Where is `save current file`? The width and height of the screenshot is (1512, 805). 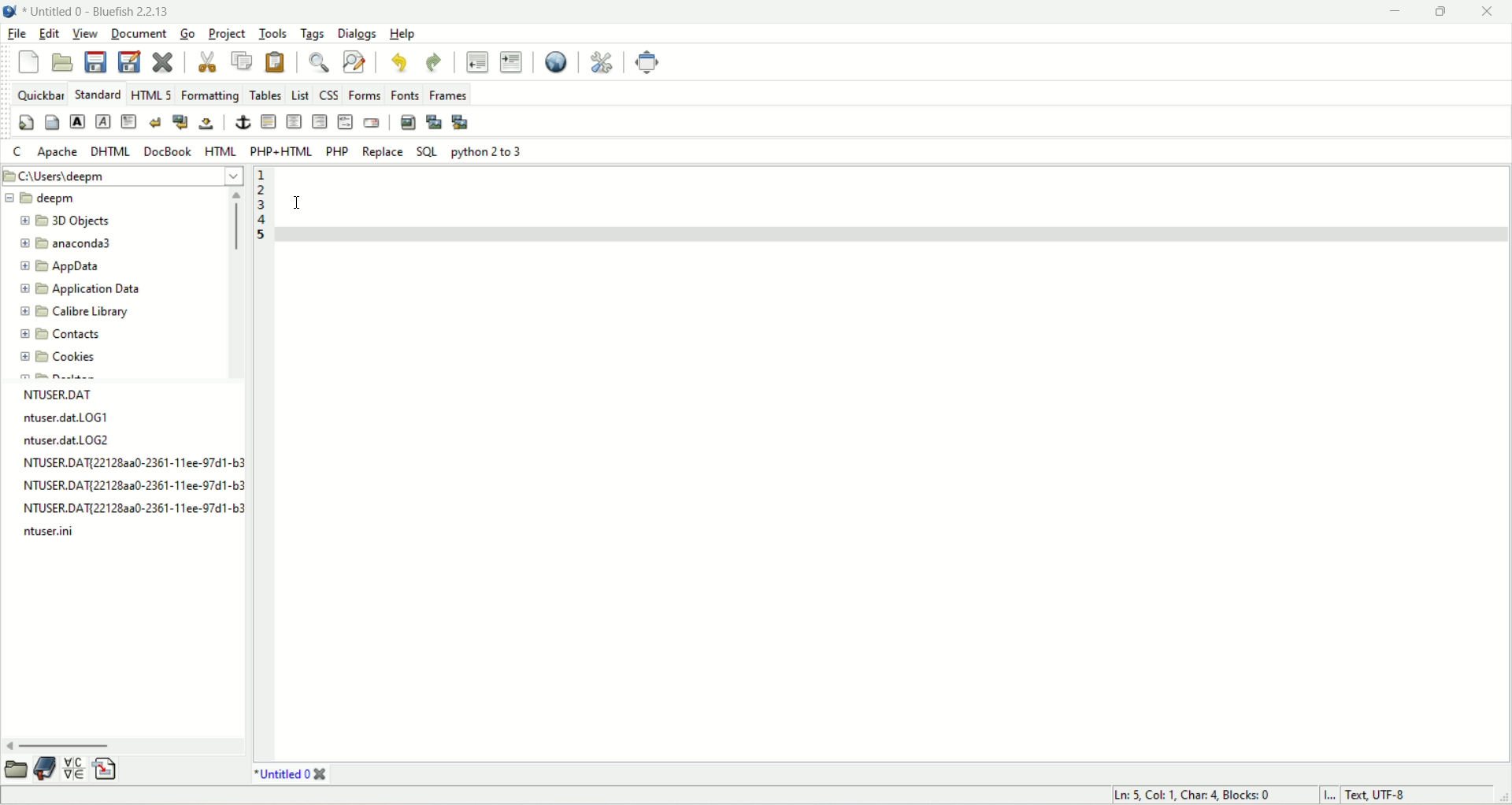 save current file is located at coordinates (96, 63).